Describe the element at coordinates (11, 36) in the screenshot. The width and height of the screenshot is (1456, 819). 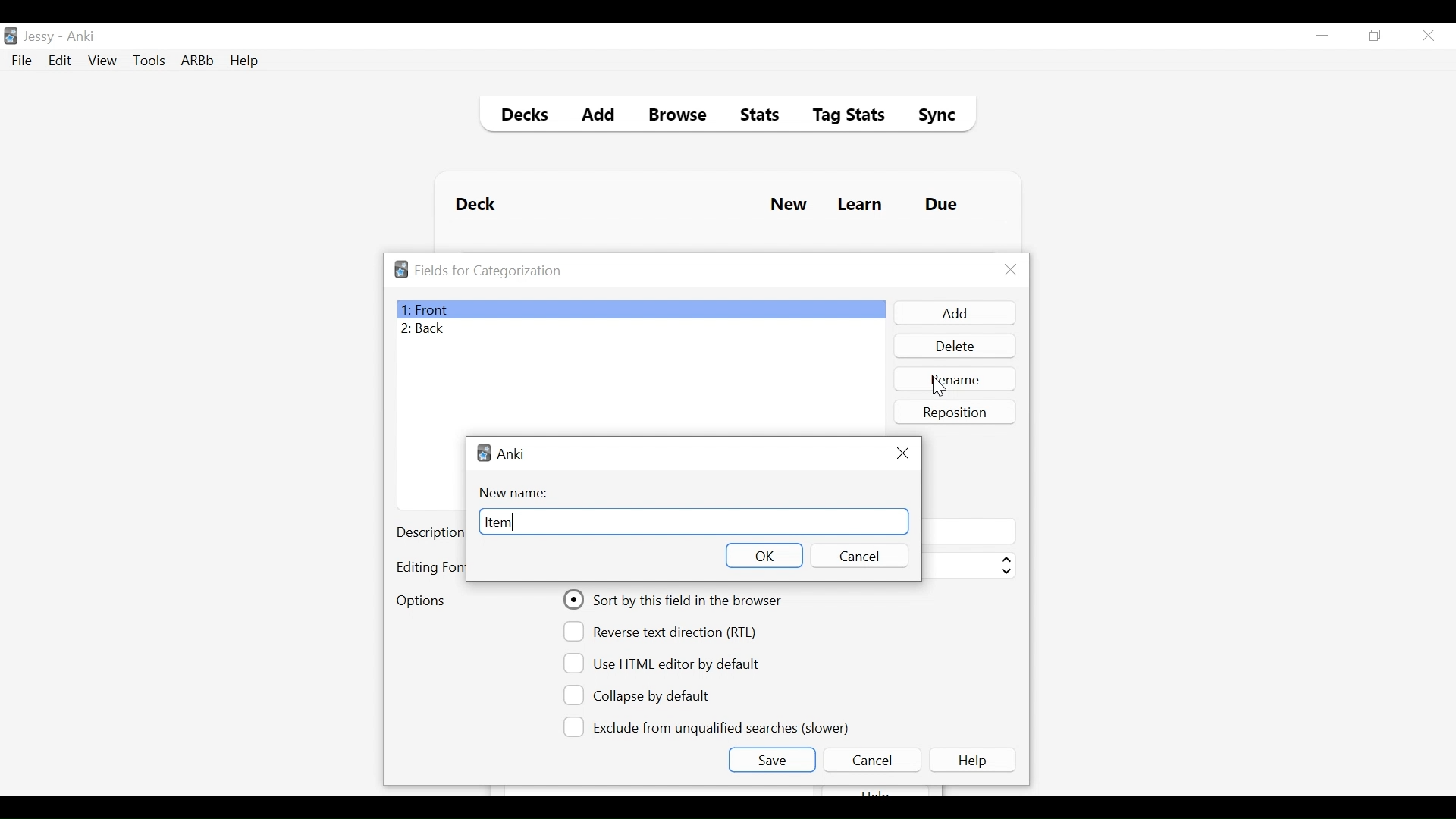
I see `Anki Desktop icon` at that location.